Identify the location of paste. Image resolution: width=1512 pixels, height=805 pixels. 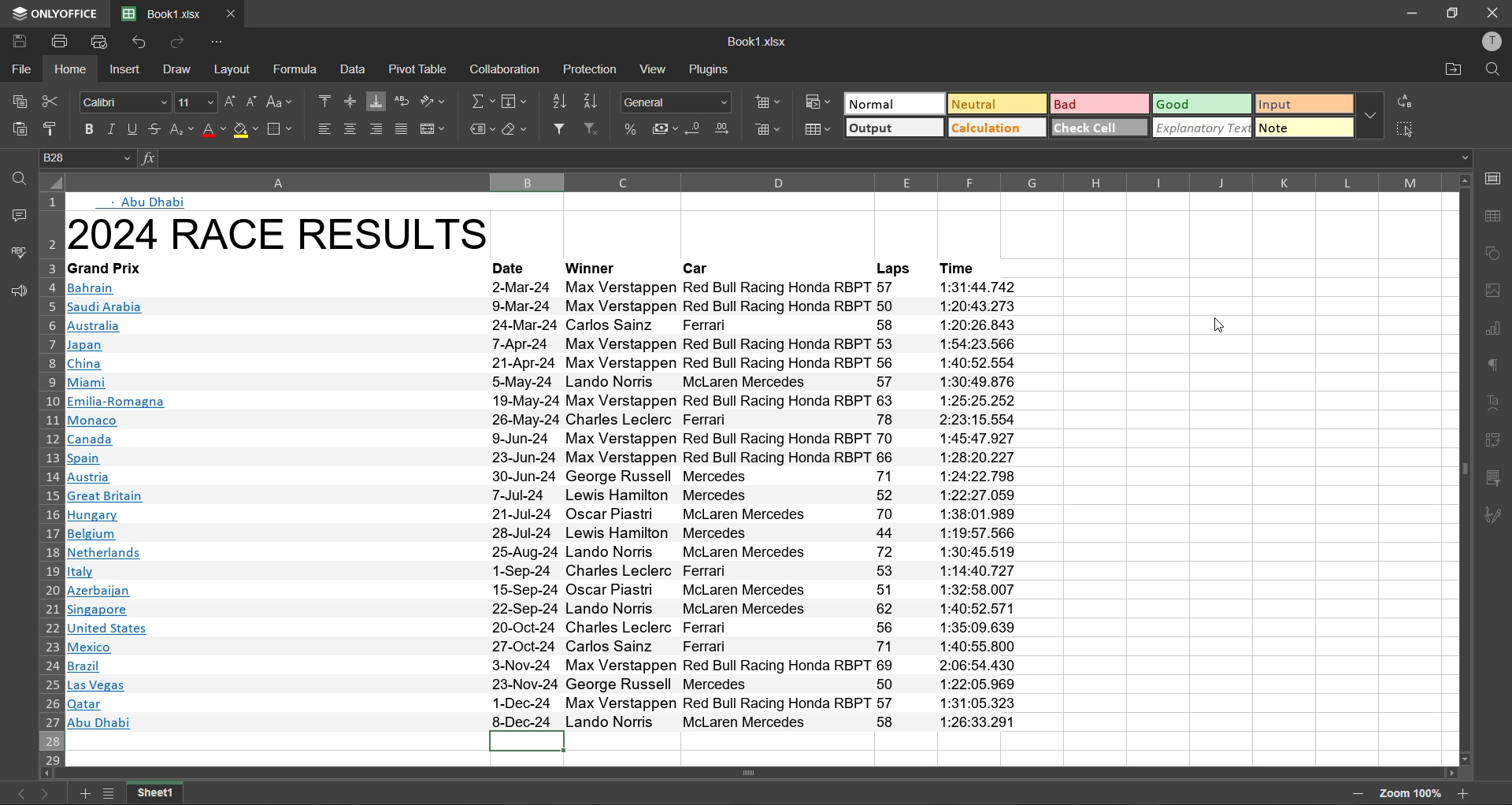
(15, 129).